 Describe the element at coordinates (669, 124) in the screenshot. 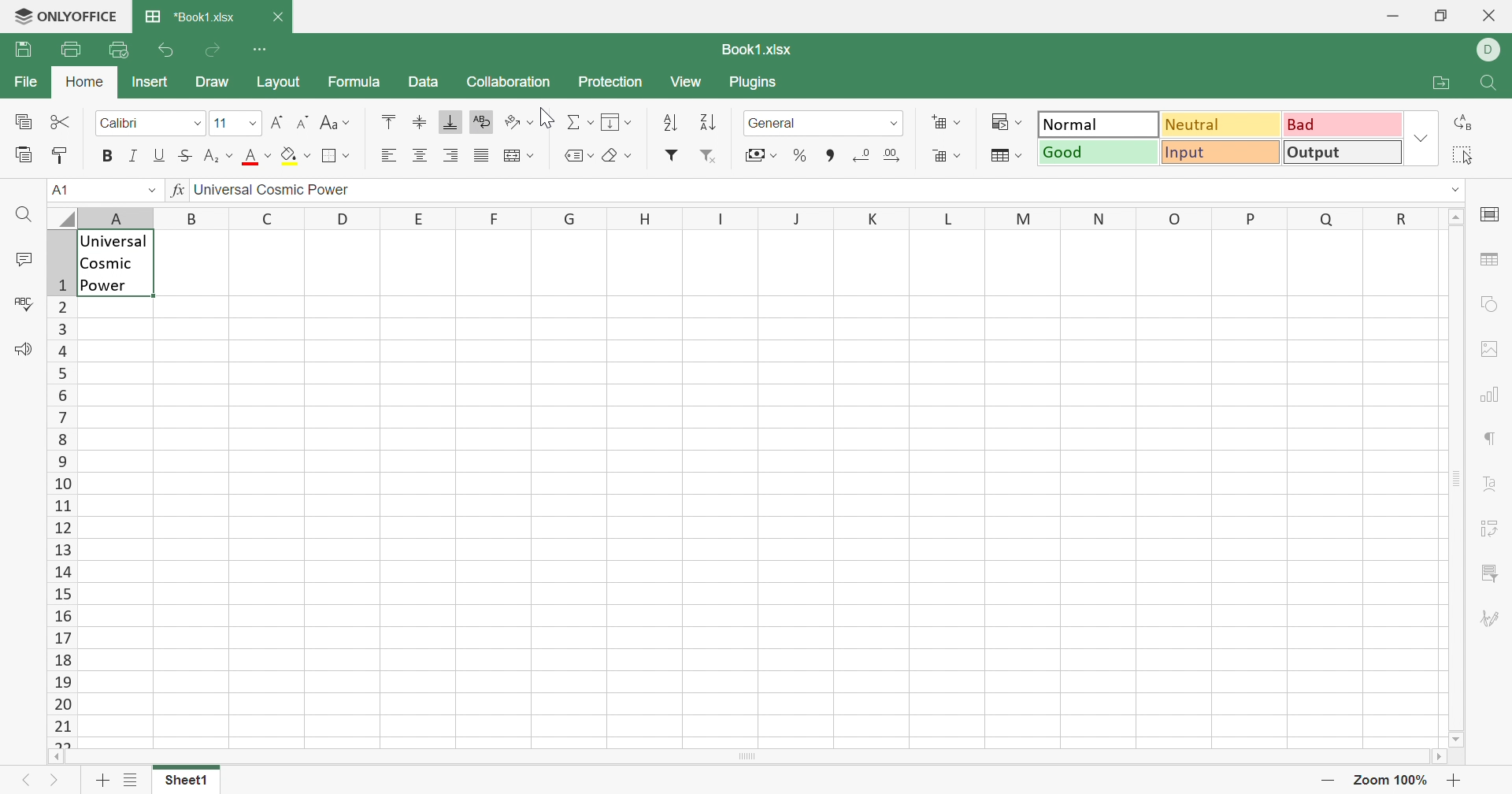

I see `Ascending order` at that location.